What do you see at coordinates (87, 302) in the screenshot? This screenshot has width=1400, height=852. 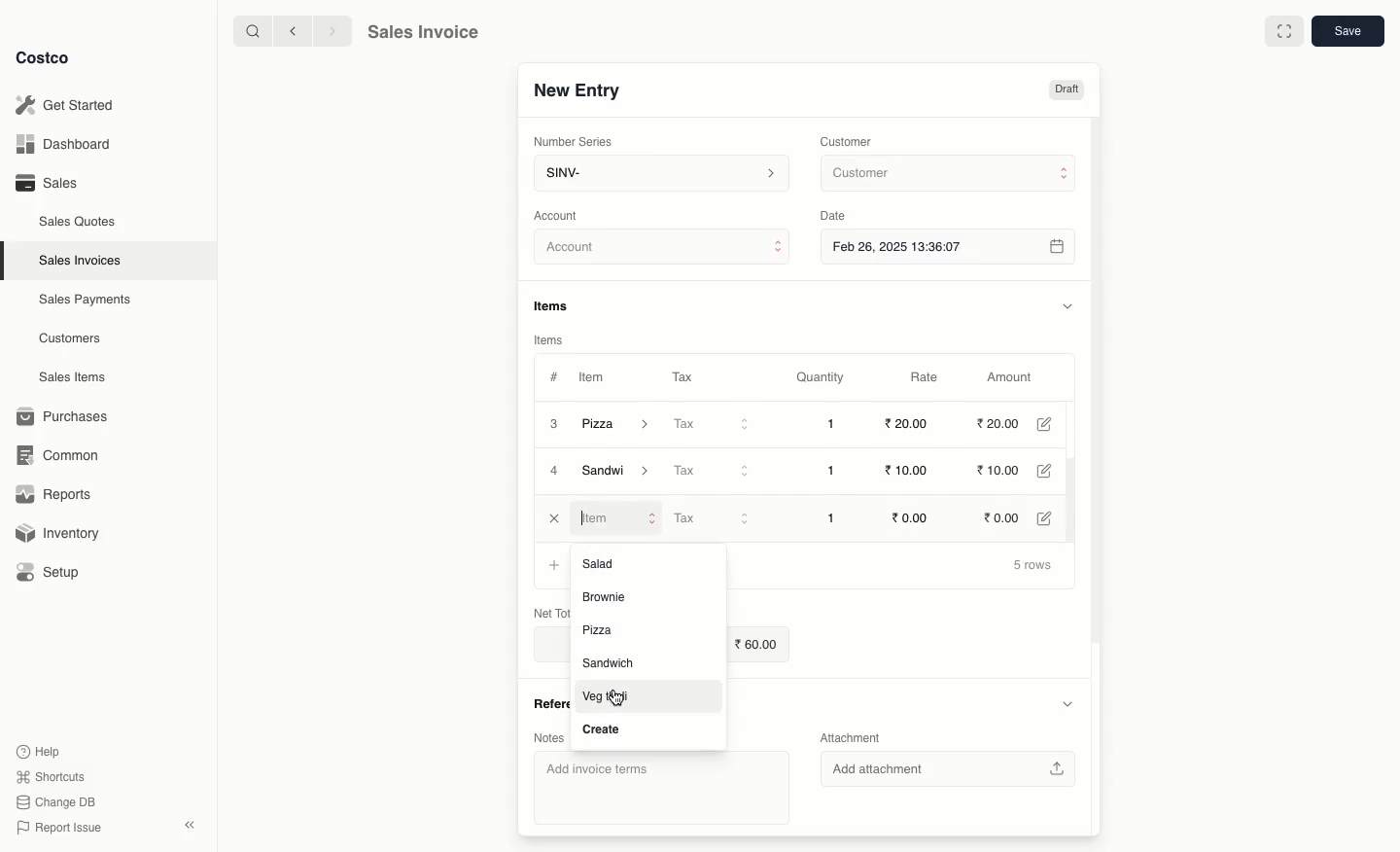 I see `Sales Payments.` at bounding box center [87, 302].